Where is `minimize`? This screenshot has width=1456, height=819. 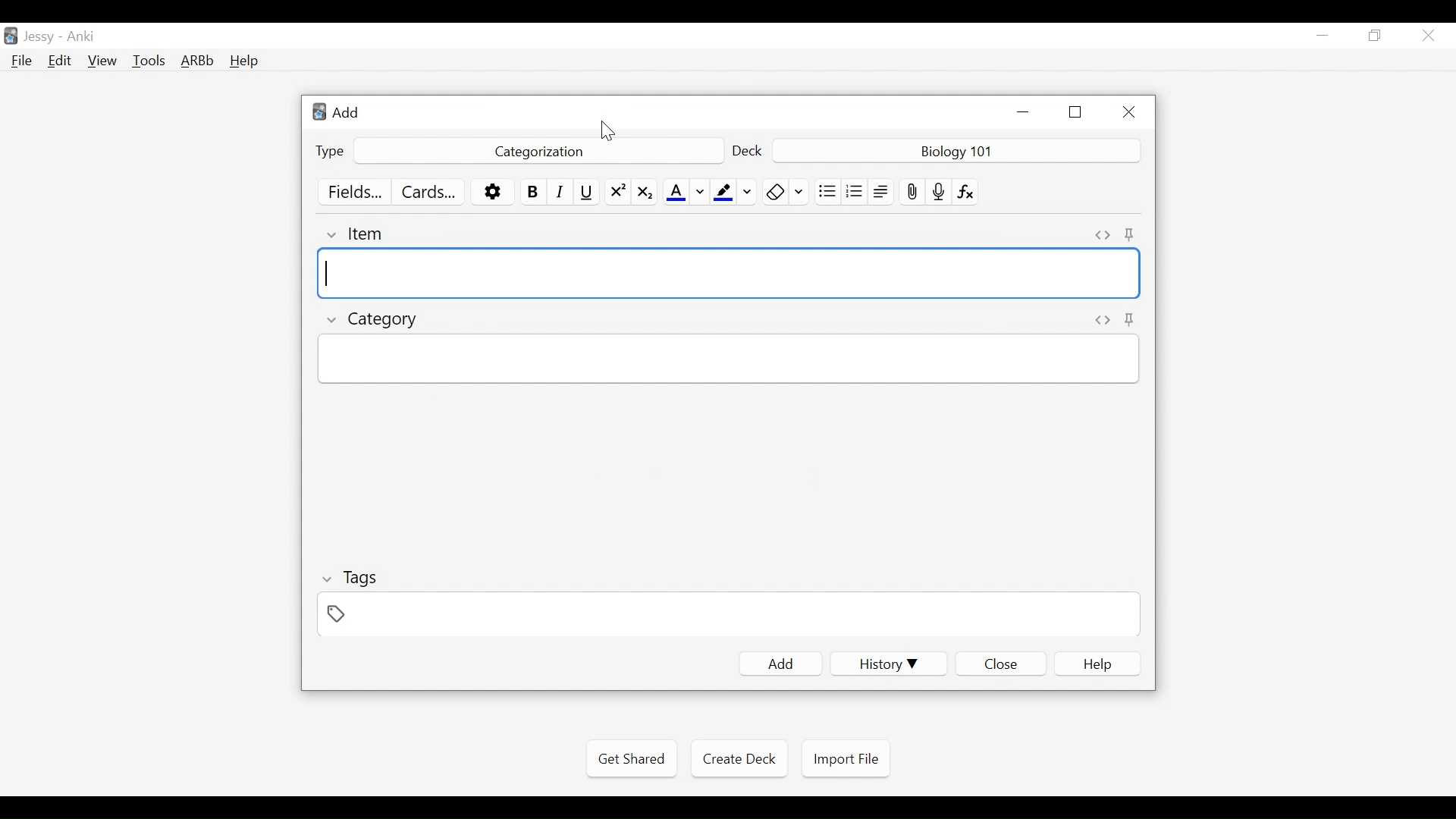
minimize is located at coordinates (1322, 36).